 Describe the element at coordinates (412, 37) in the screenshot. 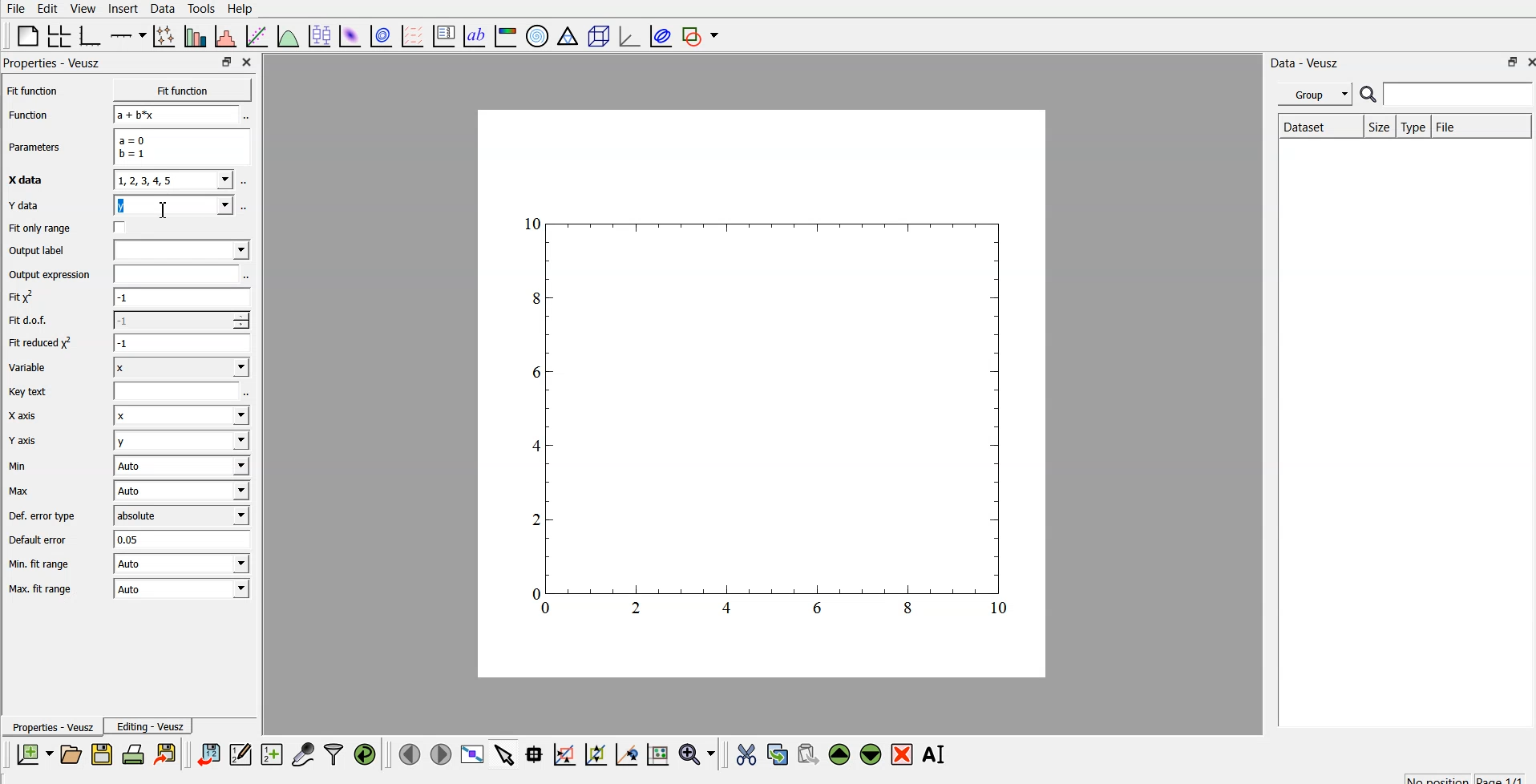

I see `plot a vector field` at that location.